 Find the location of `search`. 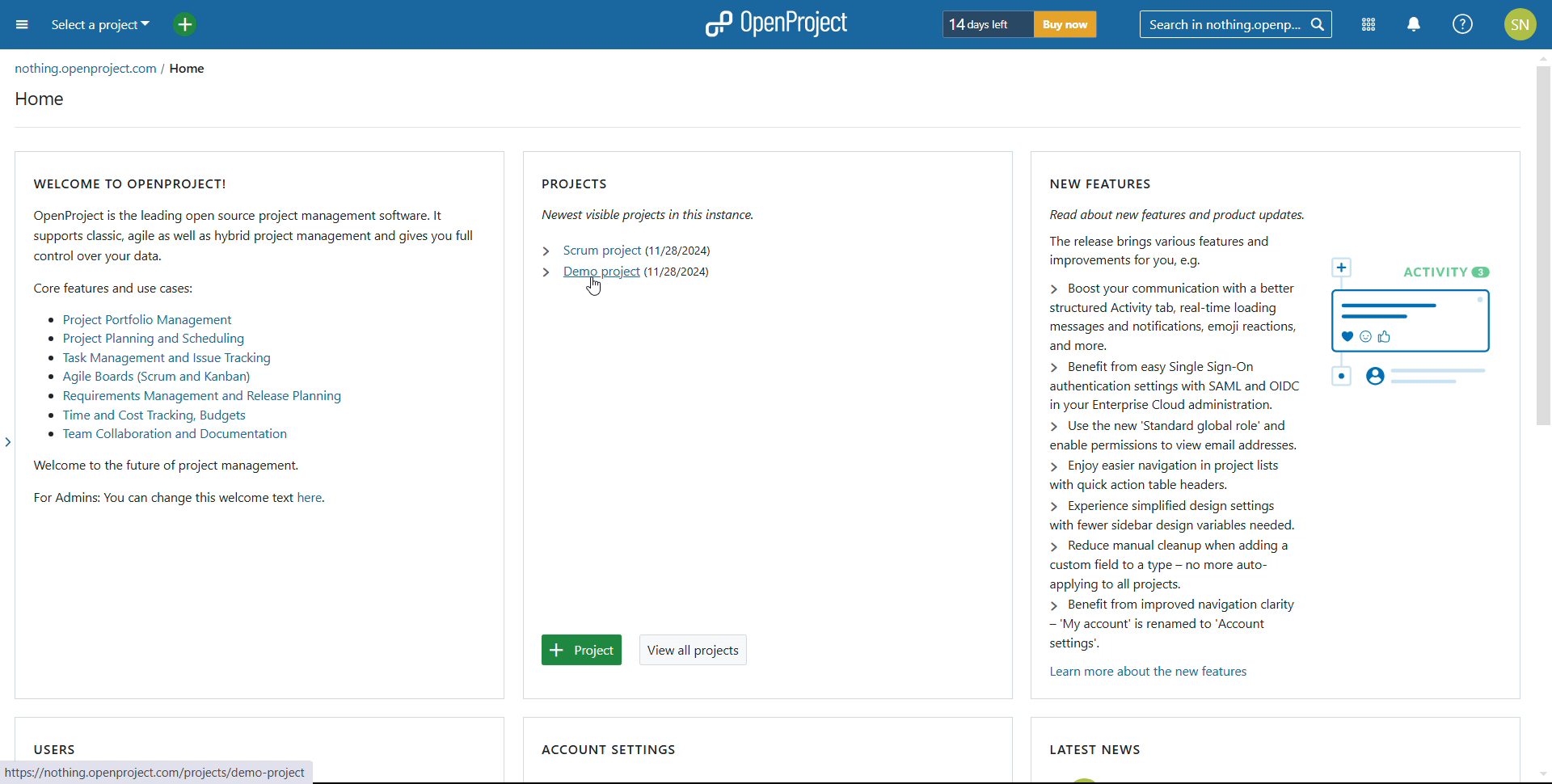

search is located at coordinates (1235, 24).